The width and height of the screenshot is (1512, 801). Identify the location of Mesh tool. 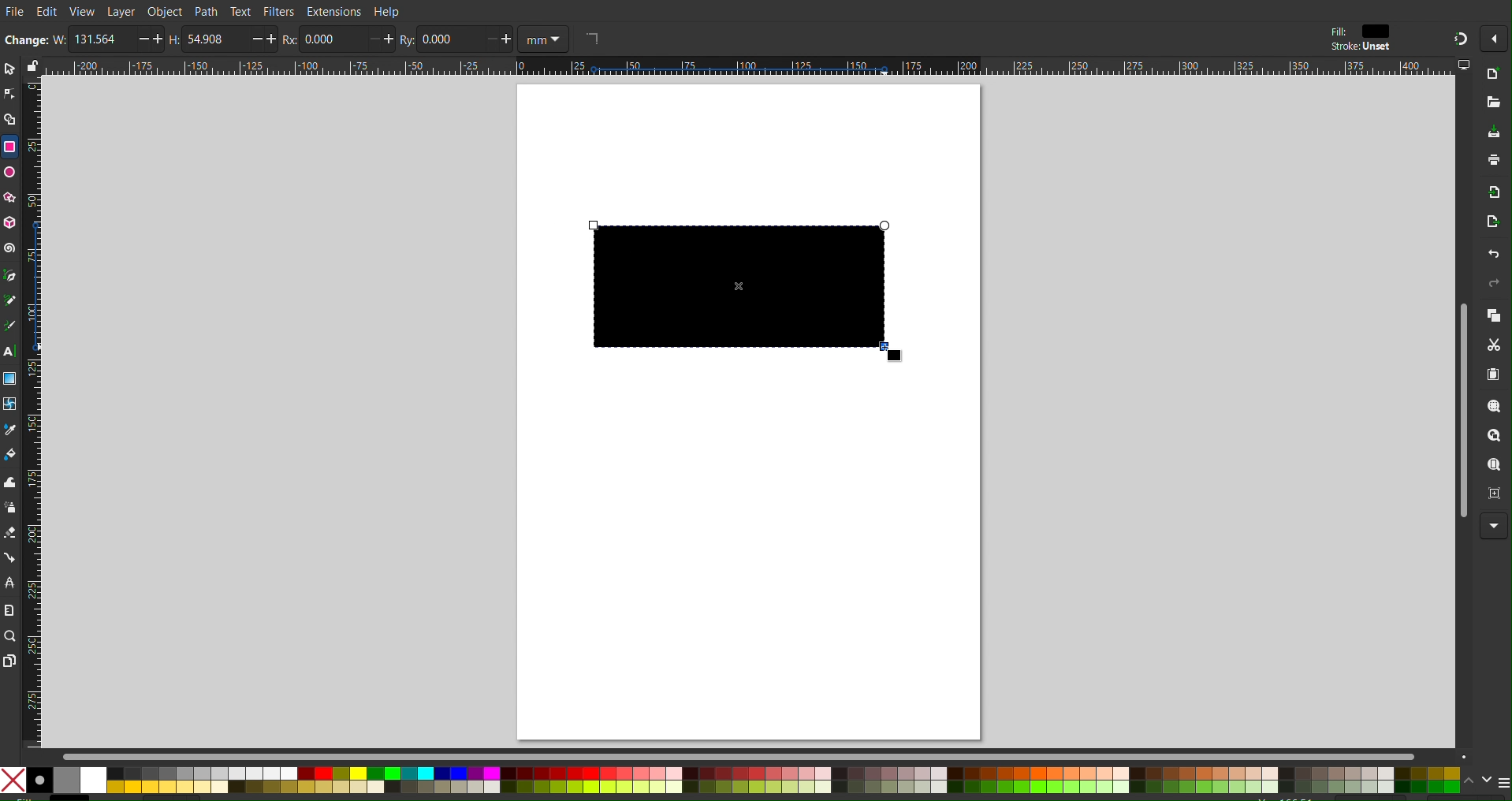
(10, 404).